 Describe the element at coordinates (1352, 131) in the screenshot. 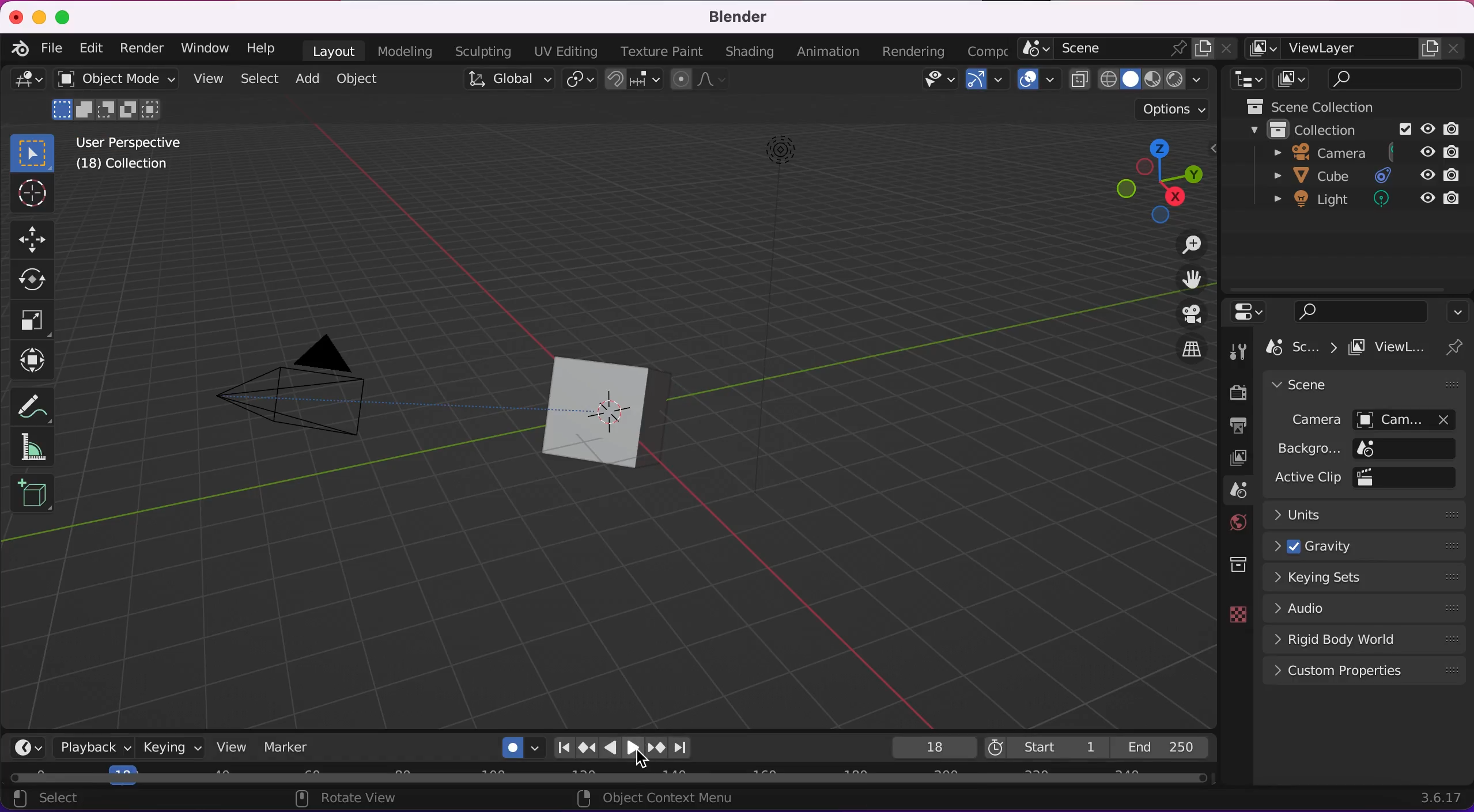

I see `collection` at that location.